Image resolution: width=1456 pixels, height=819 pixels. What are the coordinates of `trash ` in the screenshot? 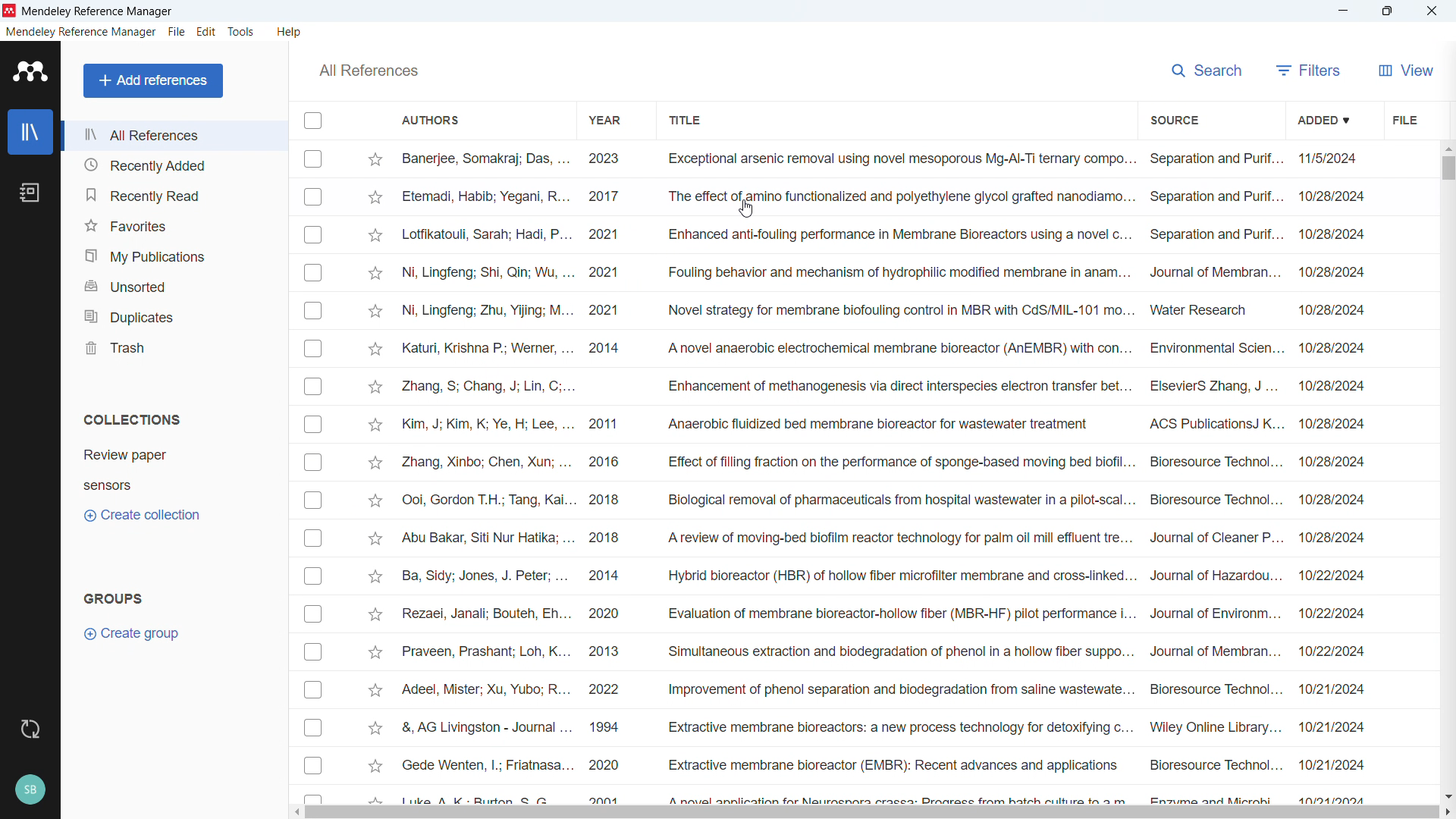 It's located at (172, 346).